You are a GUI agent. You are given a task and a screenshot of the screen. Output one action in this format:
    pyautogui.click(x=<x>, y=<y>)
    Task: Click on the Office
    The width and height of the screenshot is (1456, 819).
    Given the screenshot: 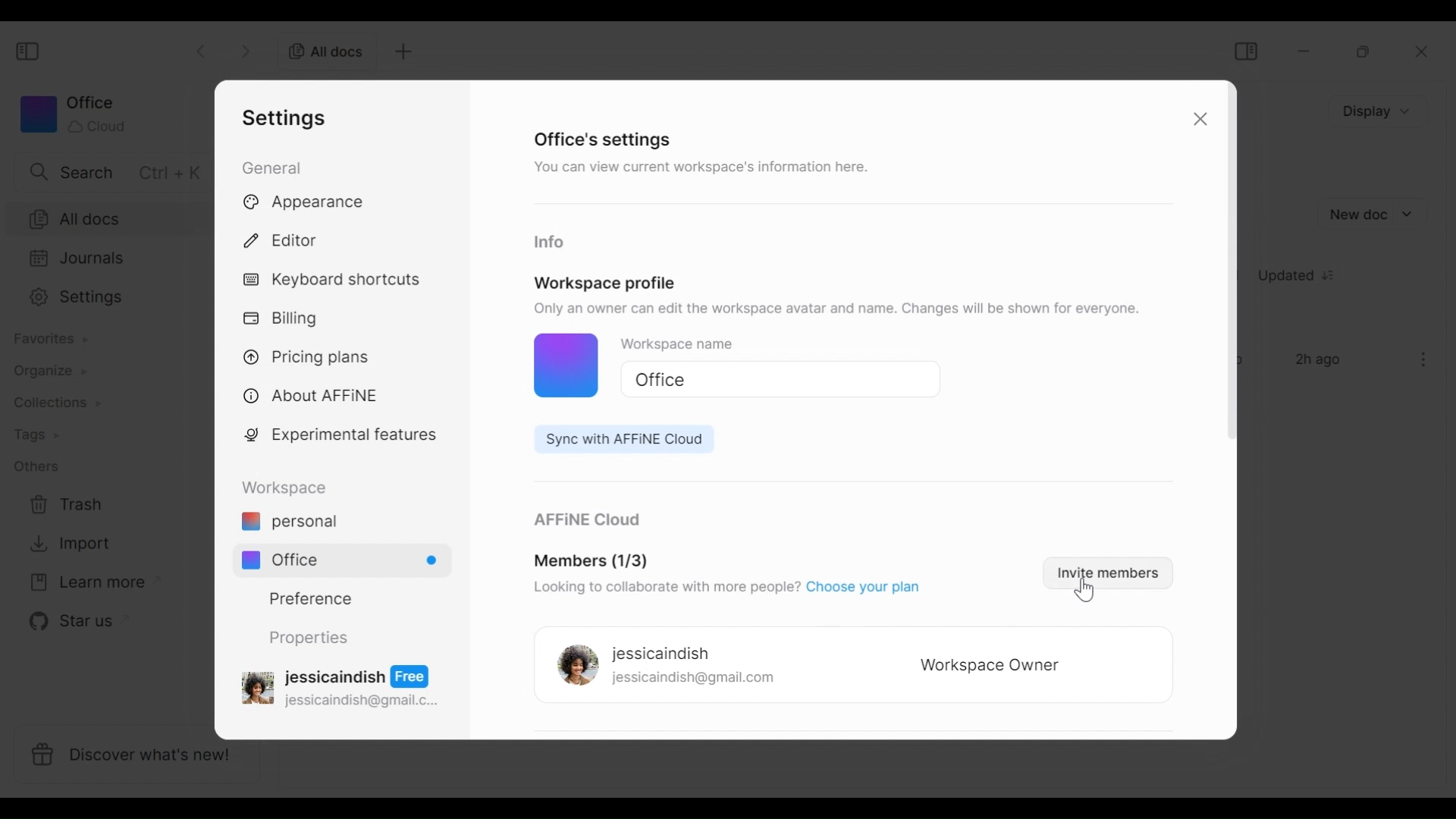 What is the action you would take?
    pyautogui.click(x=349, y=560)
    